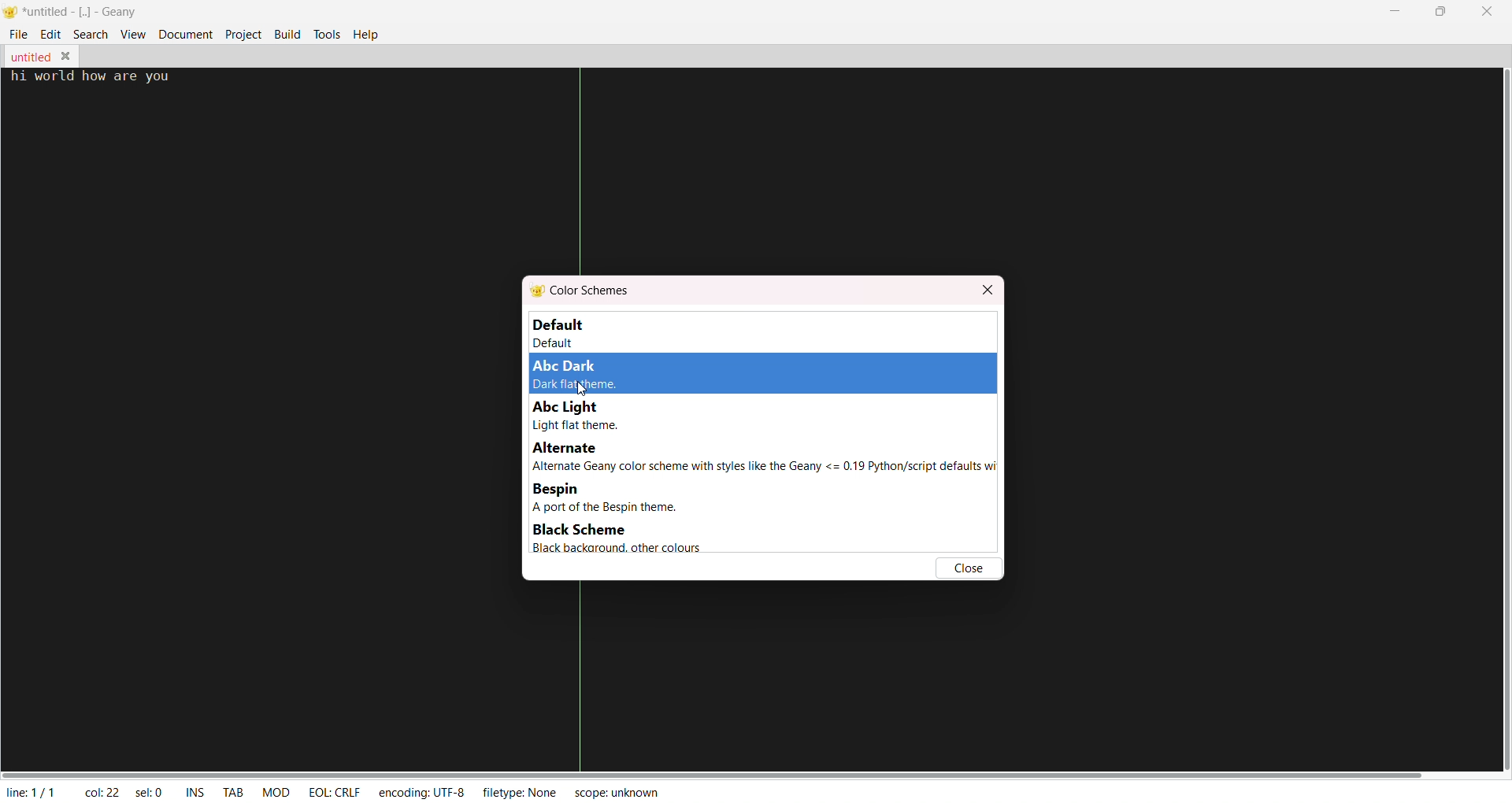 The image size is (1512, 803). Describe the element at coordinates (273, 790) in the screenshot. I see `mod` at that location.